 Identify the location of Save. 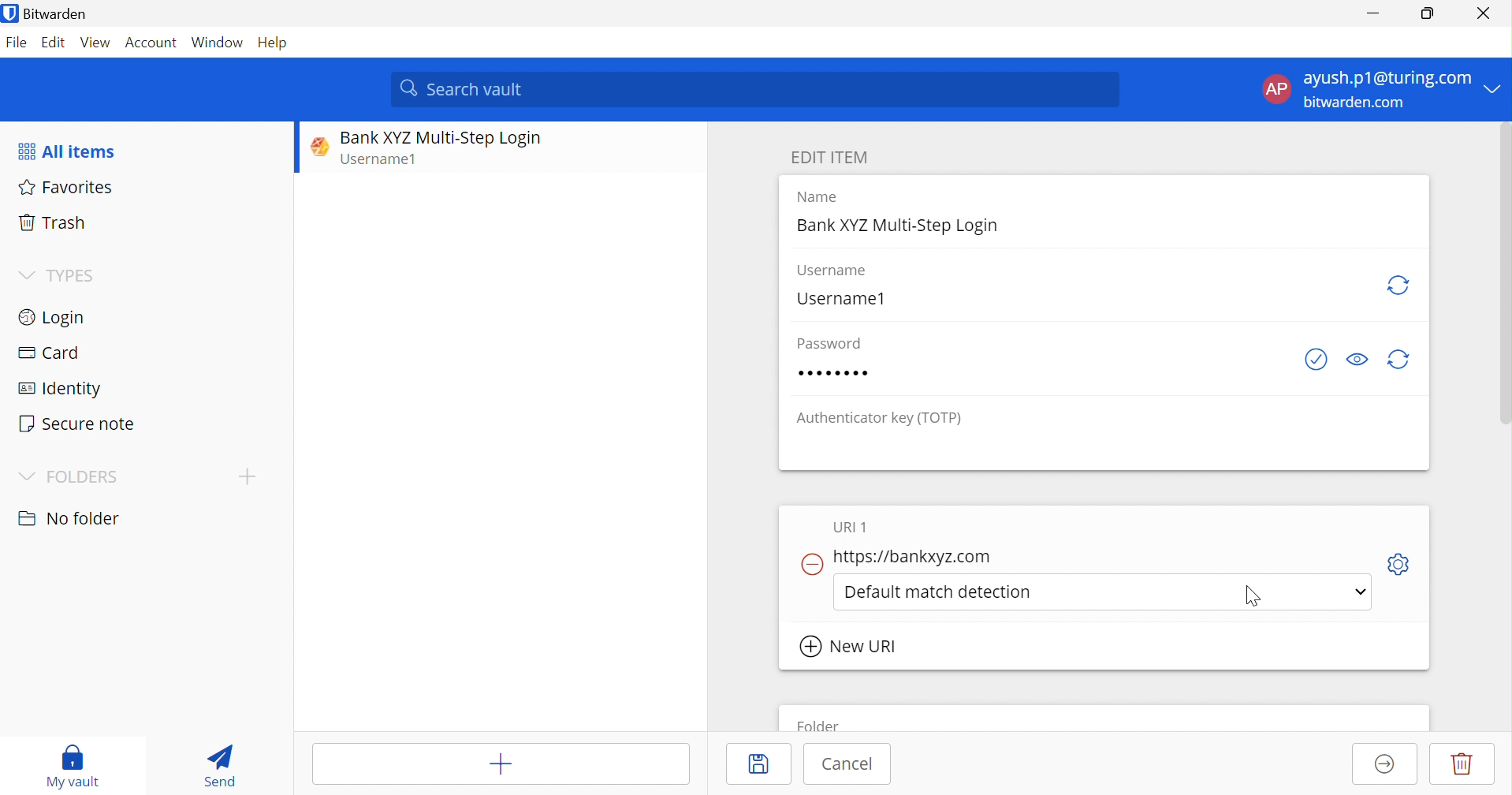
(763, 763).